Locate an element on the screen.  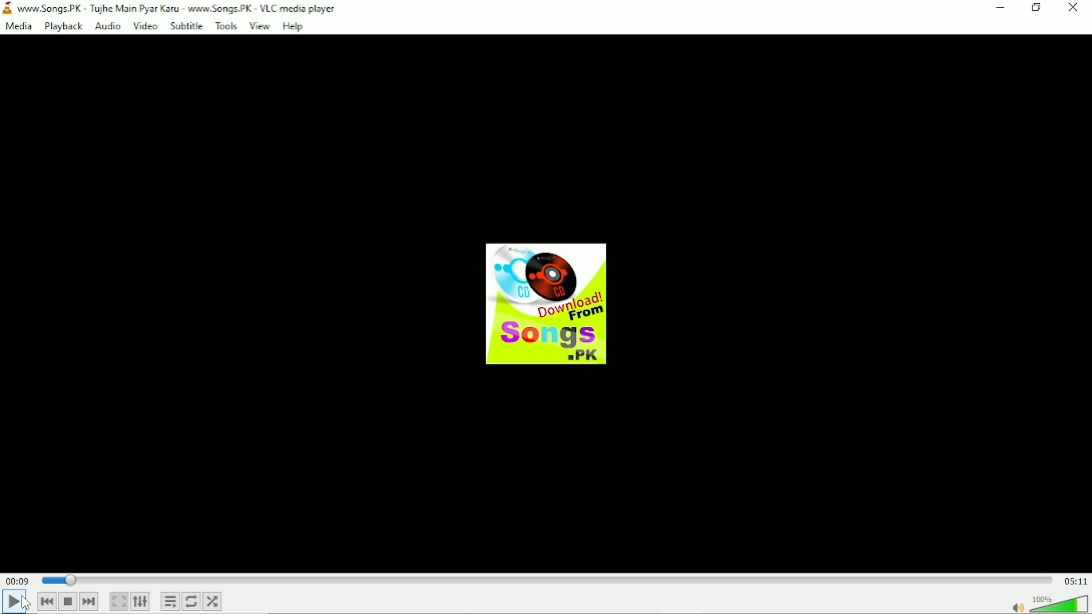
Previous is located at coordinates (49, 602).